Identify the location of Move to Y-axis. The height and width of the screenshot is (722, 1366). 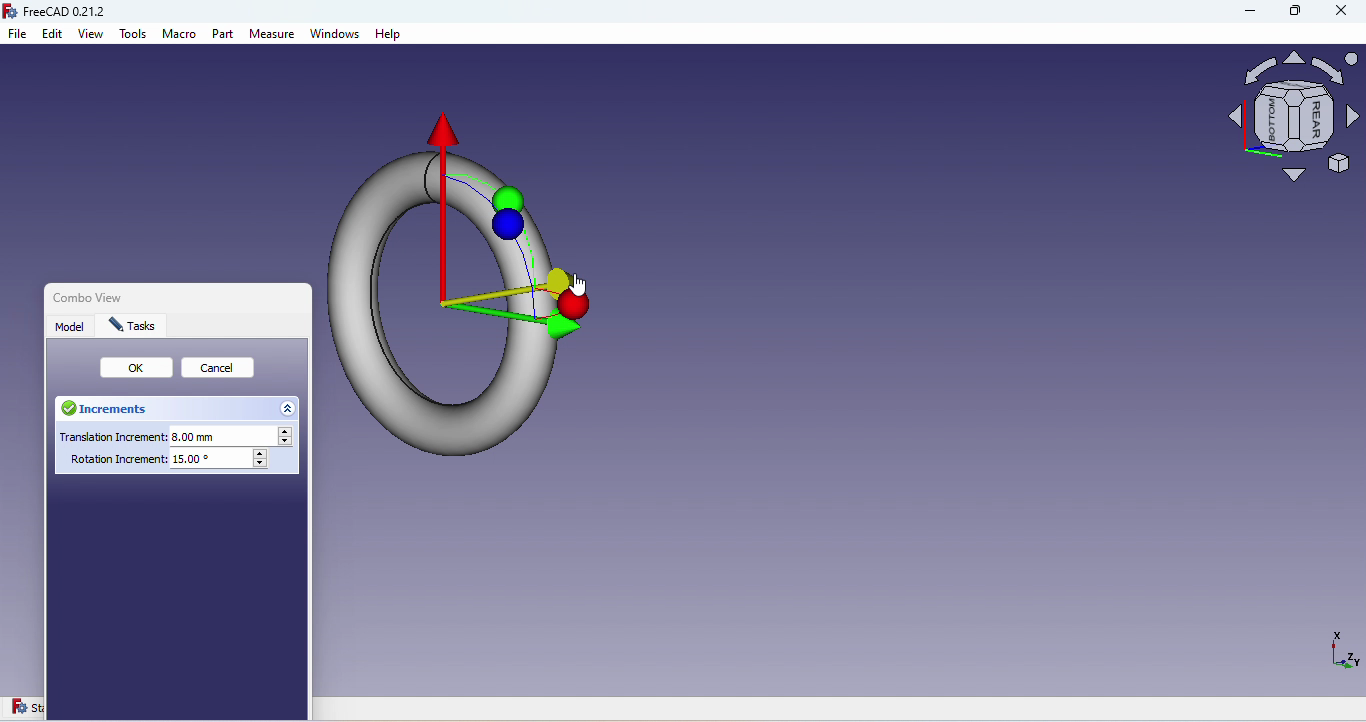
(568, 322).